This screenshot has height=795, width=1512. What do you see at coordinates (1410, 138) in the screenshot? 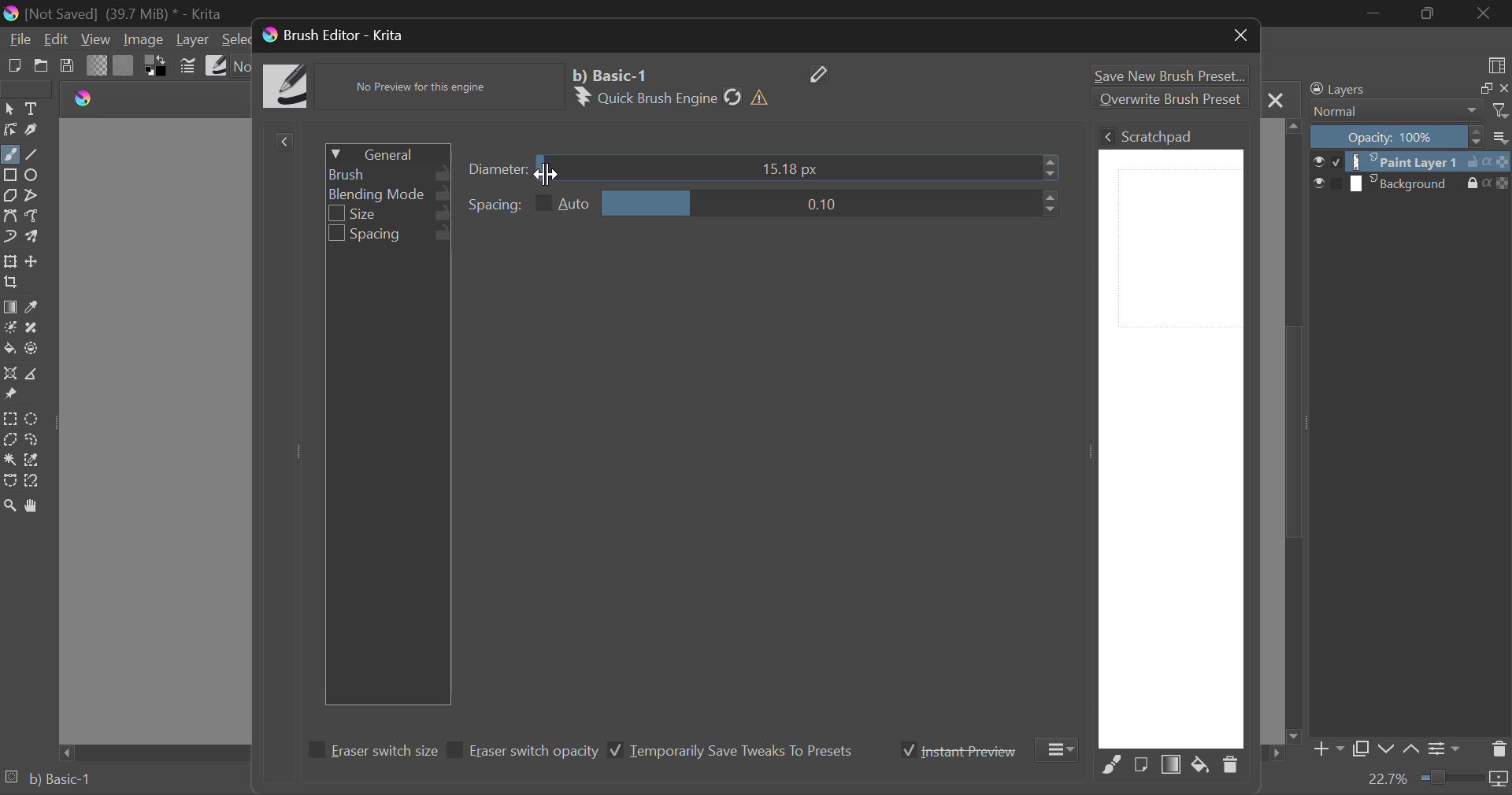
I see `Opacity` at bounding box center [1410, 138].